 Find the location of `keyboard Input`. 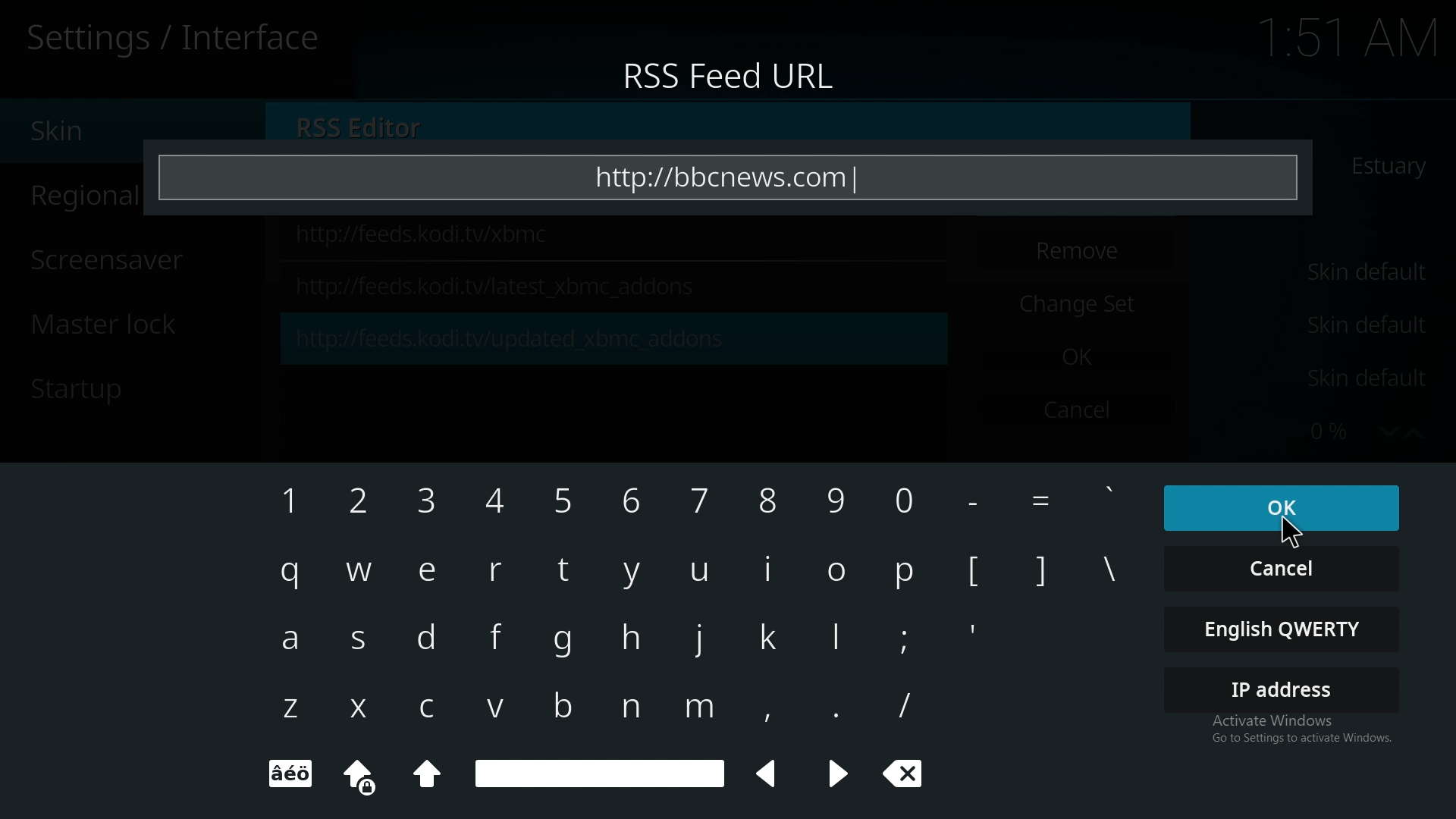

keyboard Input is located at coordinates (841, 773).